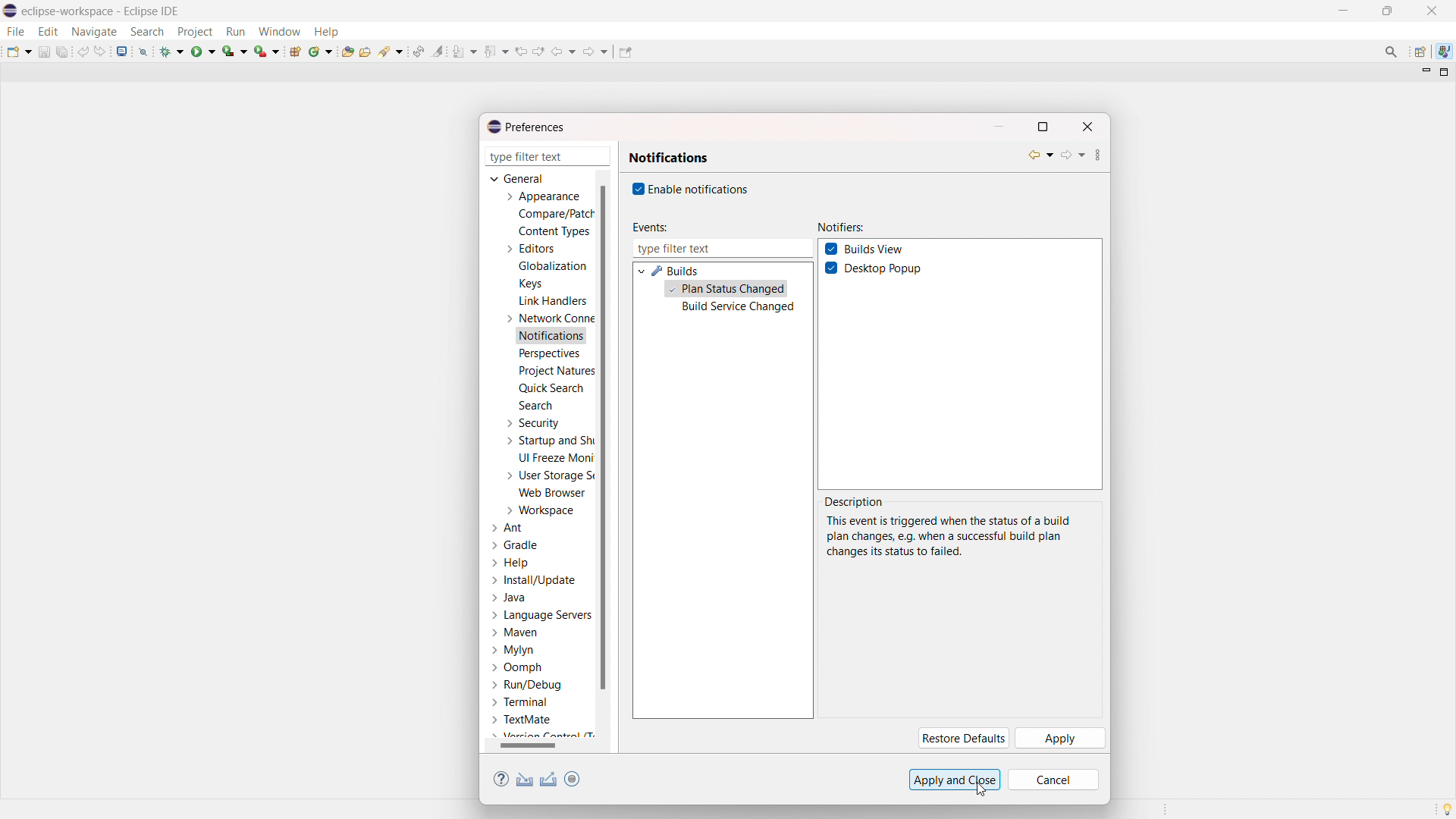 This screenshot has height=819, width=1456. I want to click on checkbox, so click(636, 189).